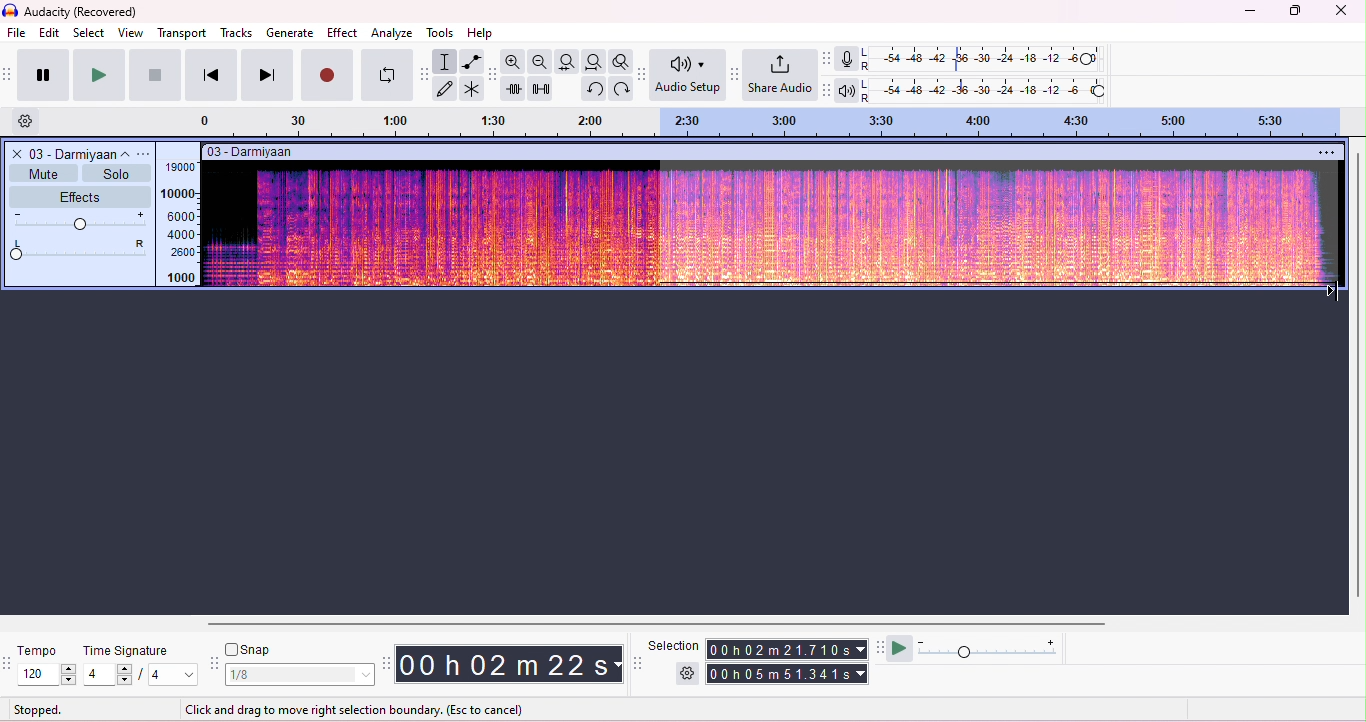 This screenshot has height=722, width=1366. What do you see at coordinates (27, 122) in the screenshot?
I see `timeline options` at bounding box center [27, 122].